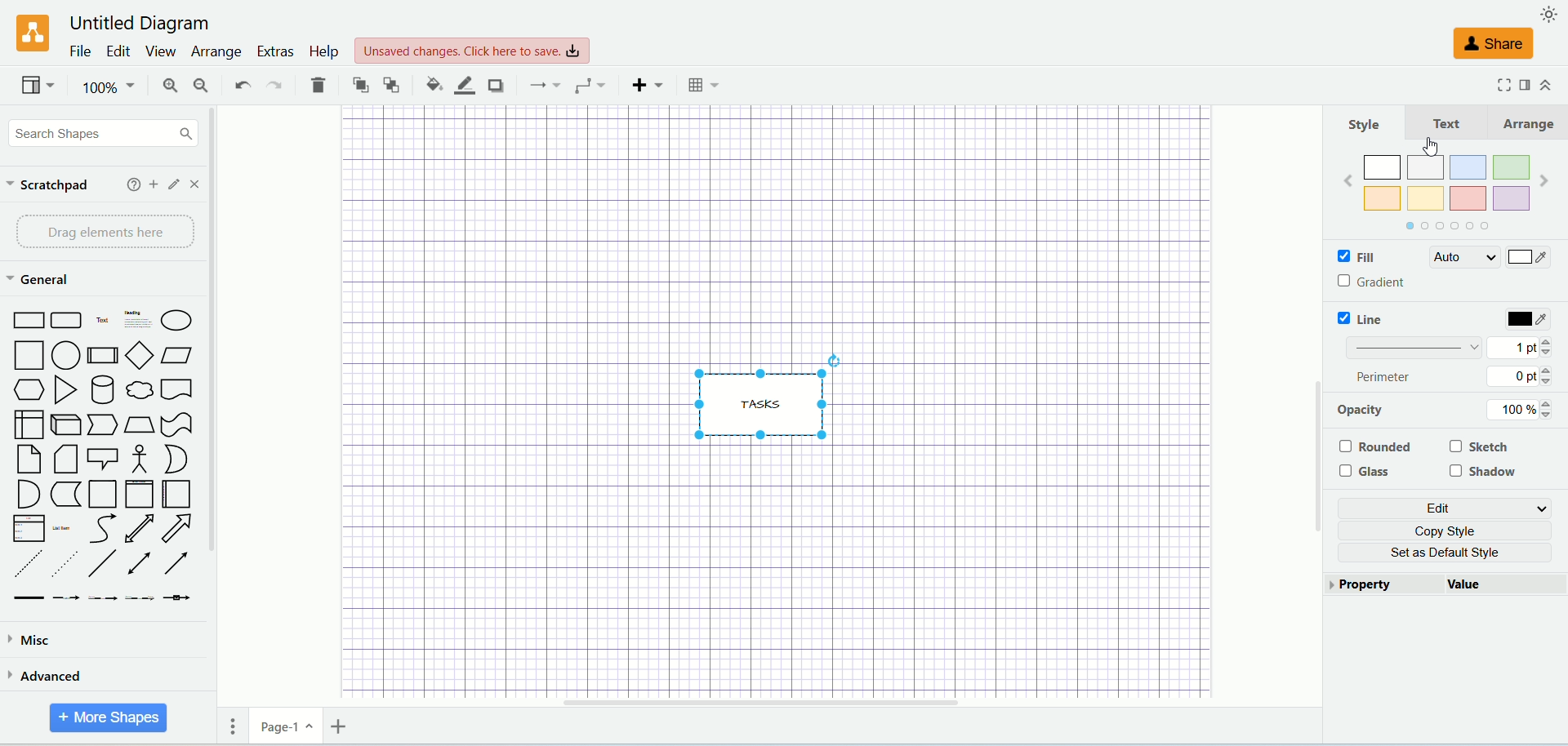 Image resolution: width=1568 pixels, height=746 pixels. What do you see at coordinates (275, 85) in the screenshot?
I see `redo` at bounding box center [275, 85].